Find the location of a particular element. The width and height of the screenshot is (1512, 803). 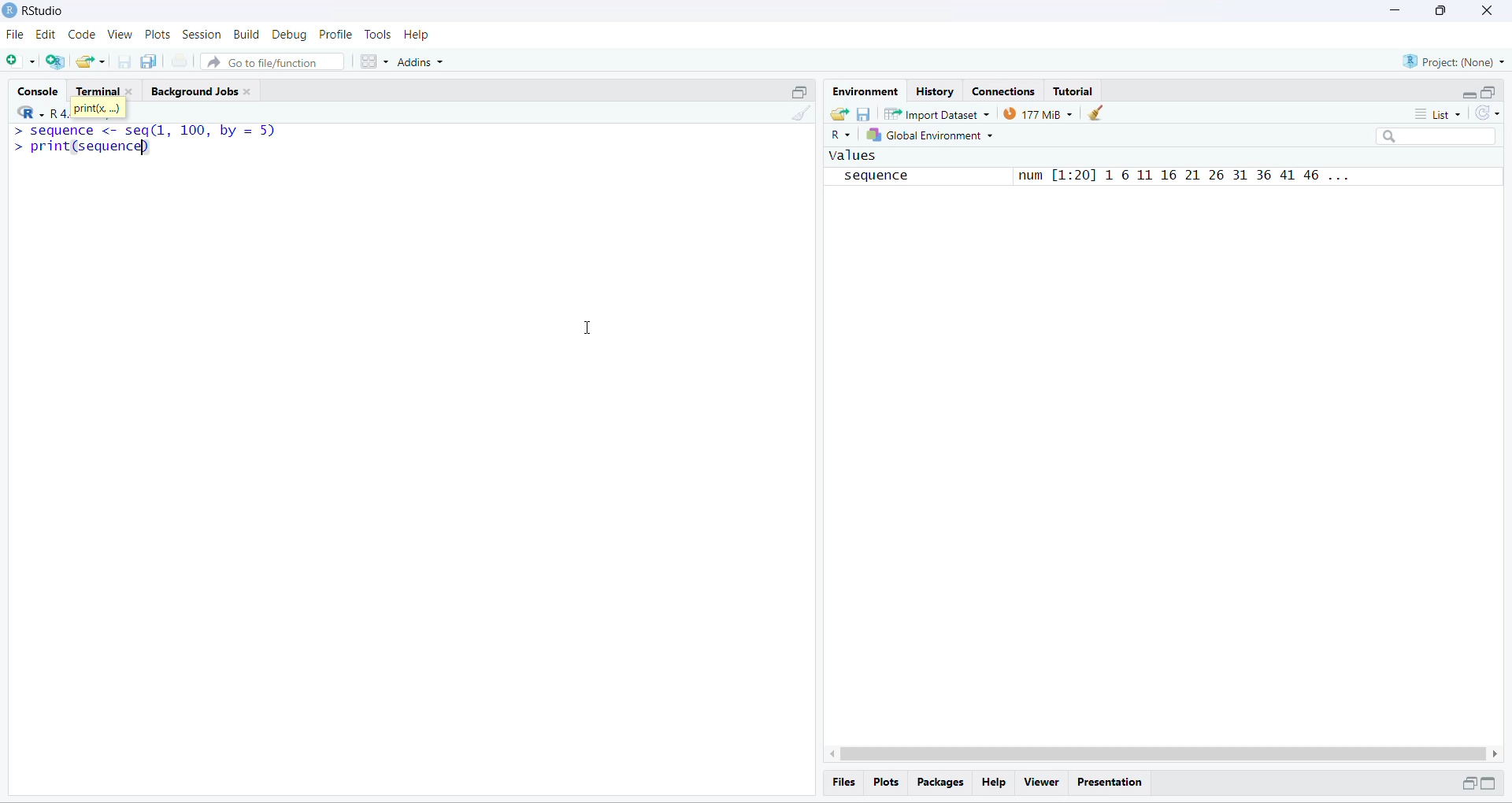

go to file/function is located at coordinates (272, 61).